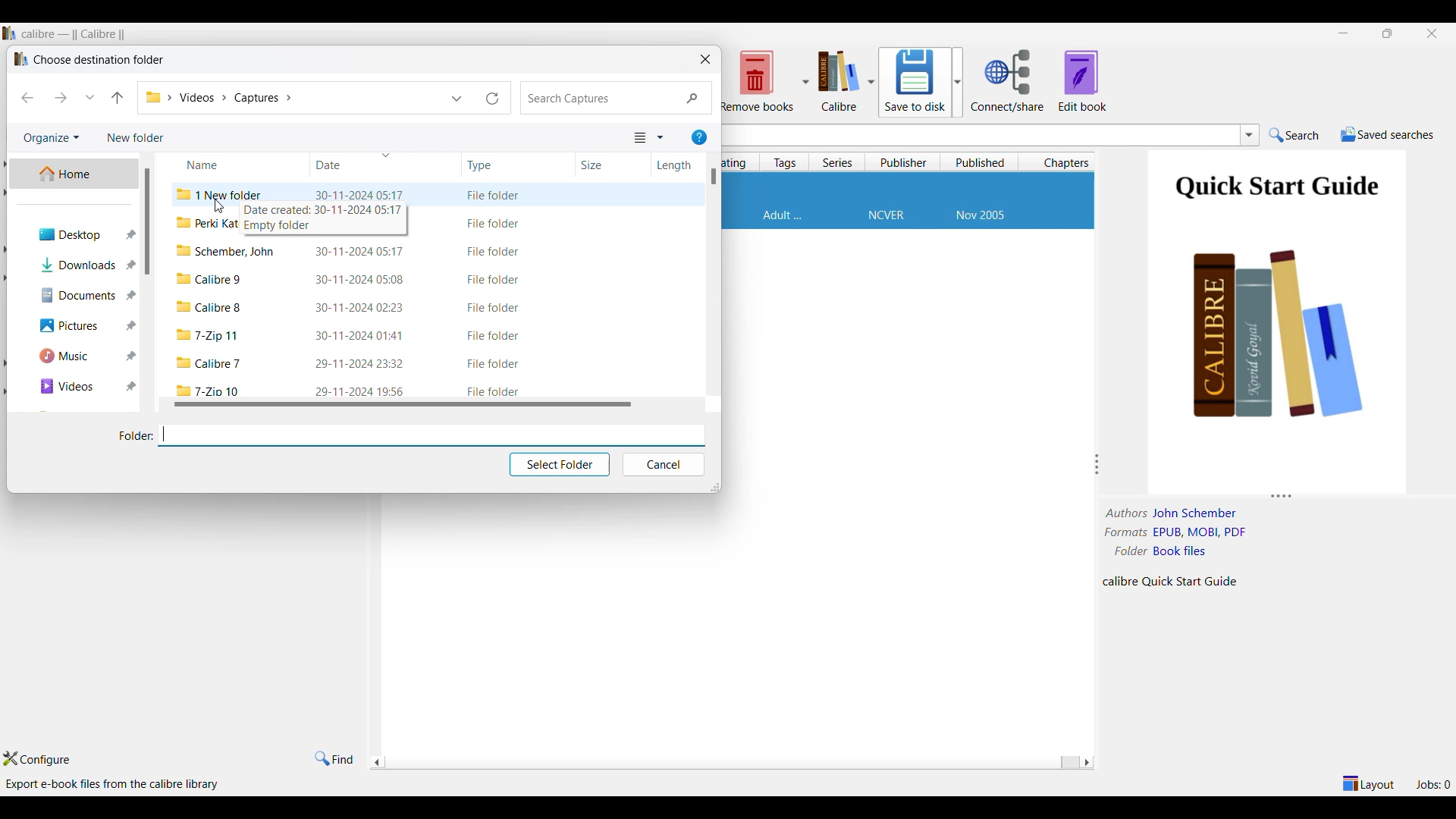  Describe the element at coordinates (1273, 494) in the screenshot. I see `Change height of panels attached to this line` at that location.